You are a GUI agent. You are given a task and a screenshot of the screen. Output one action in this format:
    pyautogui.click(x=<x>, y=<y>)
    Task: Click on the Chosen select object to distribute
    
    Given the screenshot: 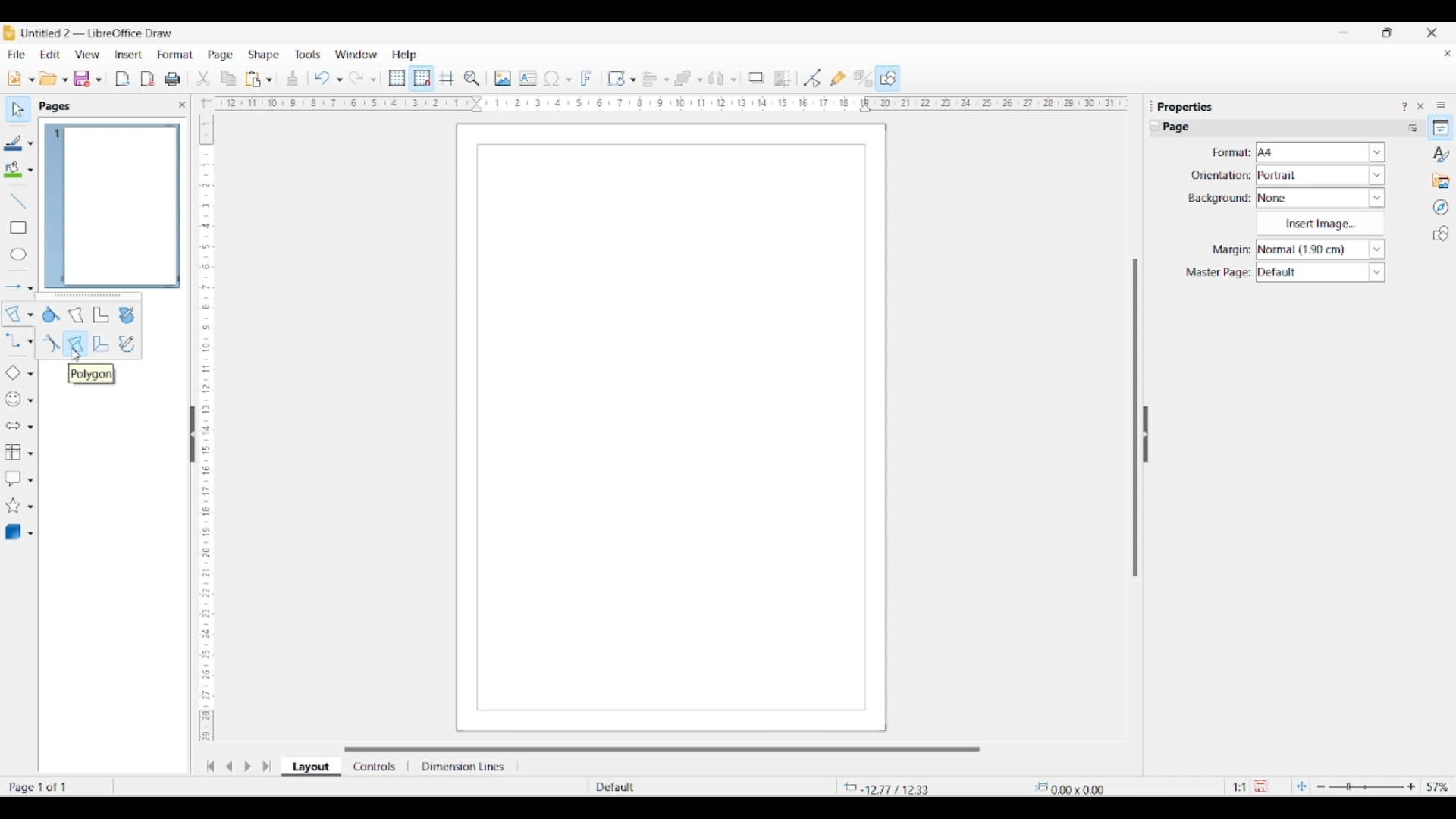 What is the action you would take?
    pyautogui.click(x=717, y=78)
    